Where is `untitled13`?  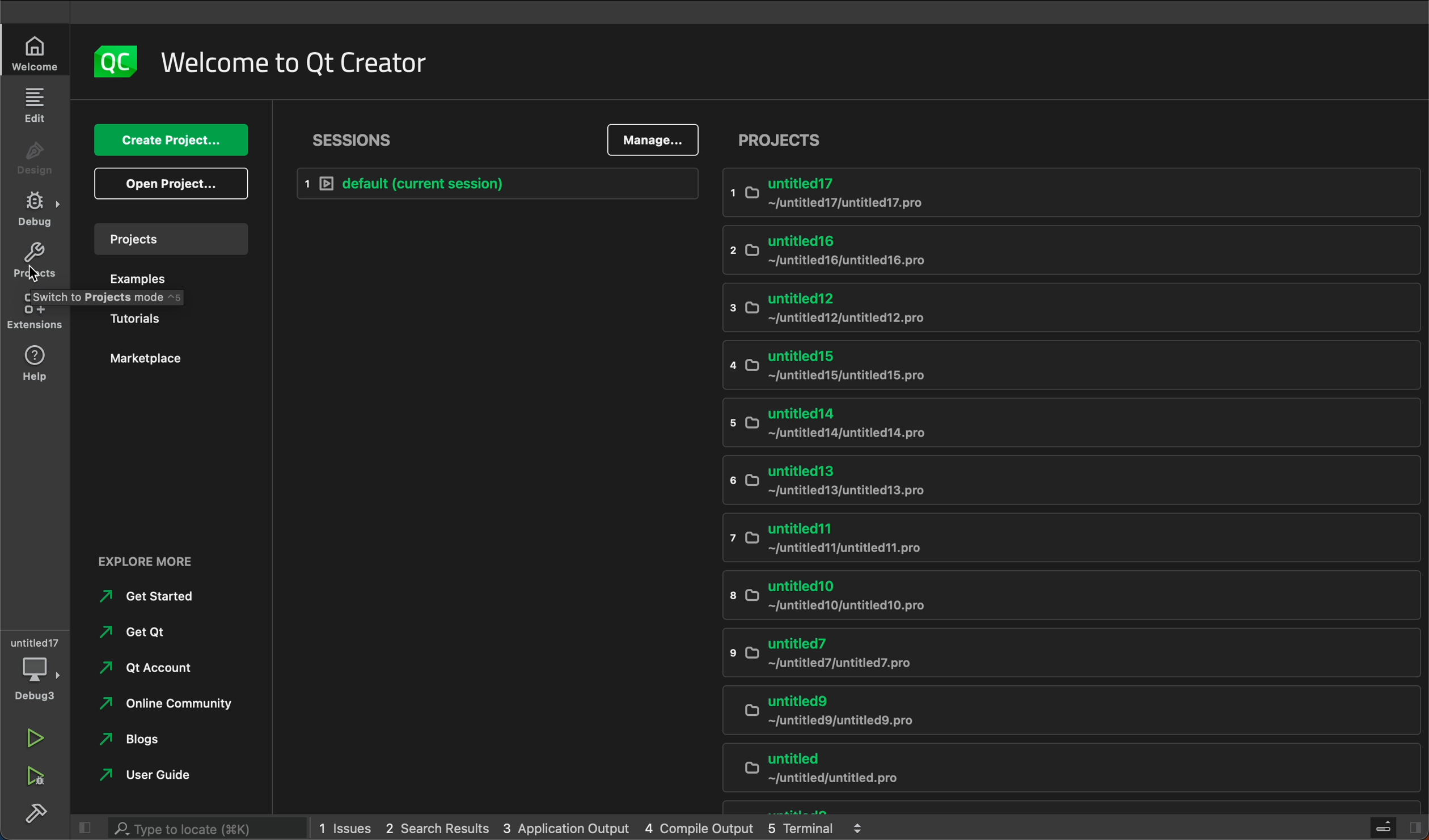 untitled13 is located at coordinates (1077, 481).